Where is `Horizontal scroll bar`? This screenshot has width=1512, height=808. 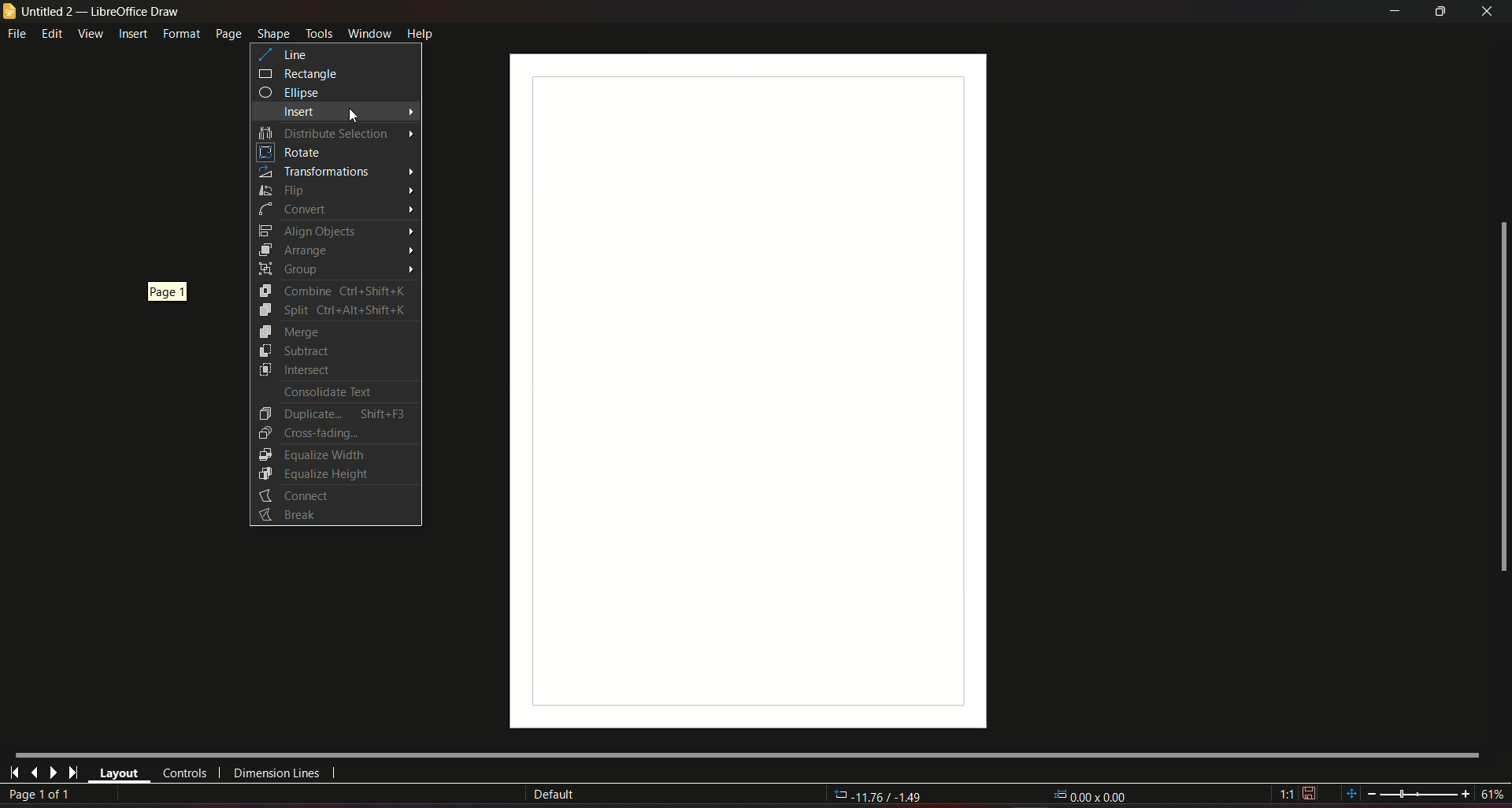
Horizontal scroll bar is located at coordinates (746, 753).